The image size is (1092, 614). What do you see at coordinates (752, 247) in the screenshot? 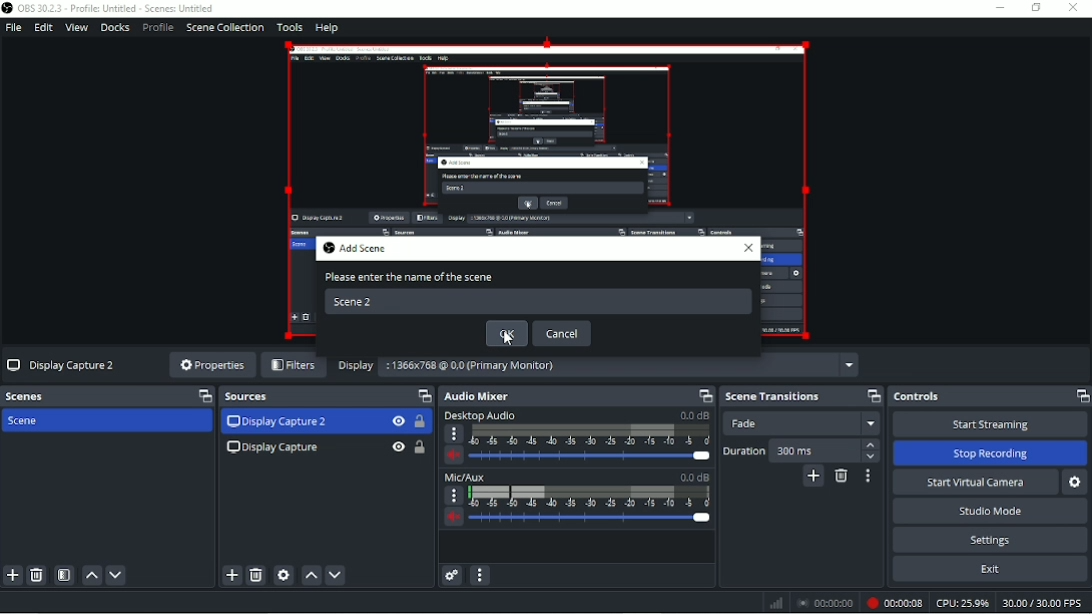
I see `close` at bounding box center [752, 247].